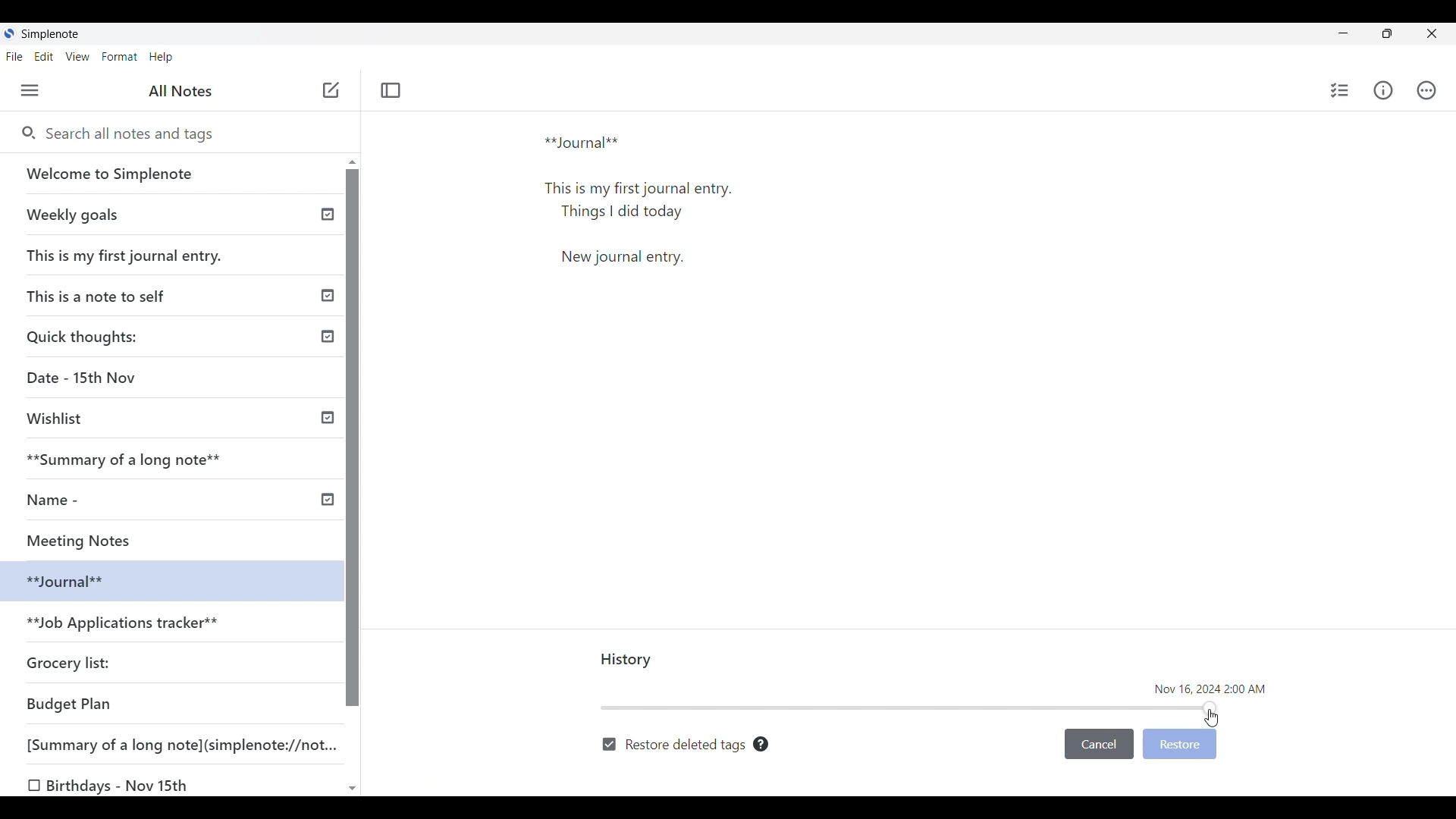 Image resolution: width=1456 pixels, height=819 pixels. What do you see at coordinates (134, 459) in the screenshot?
I see `**Summary of a long note**` at bounding box center [134, 459].